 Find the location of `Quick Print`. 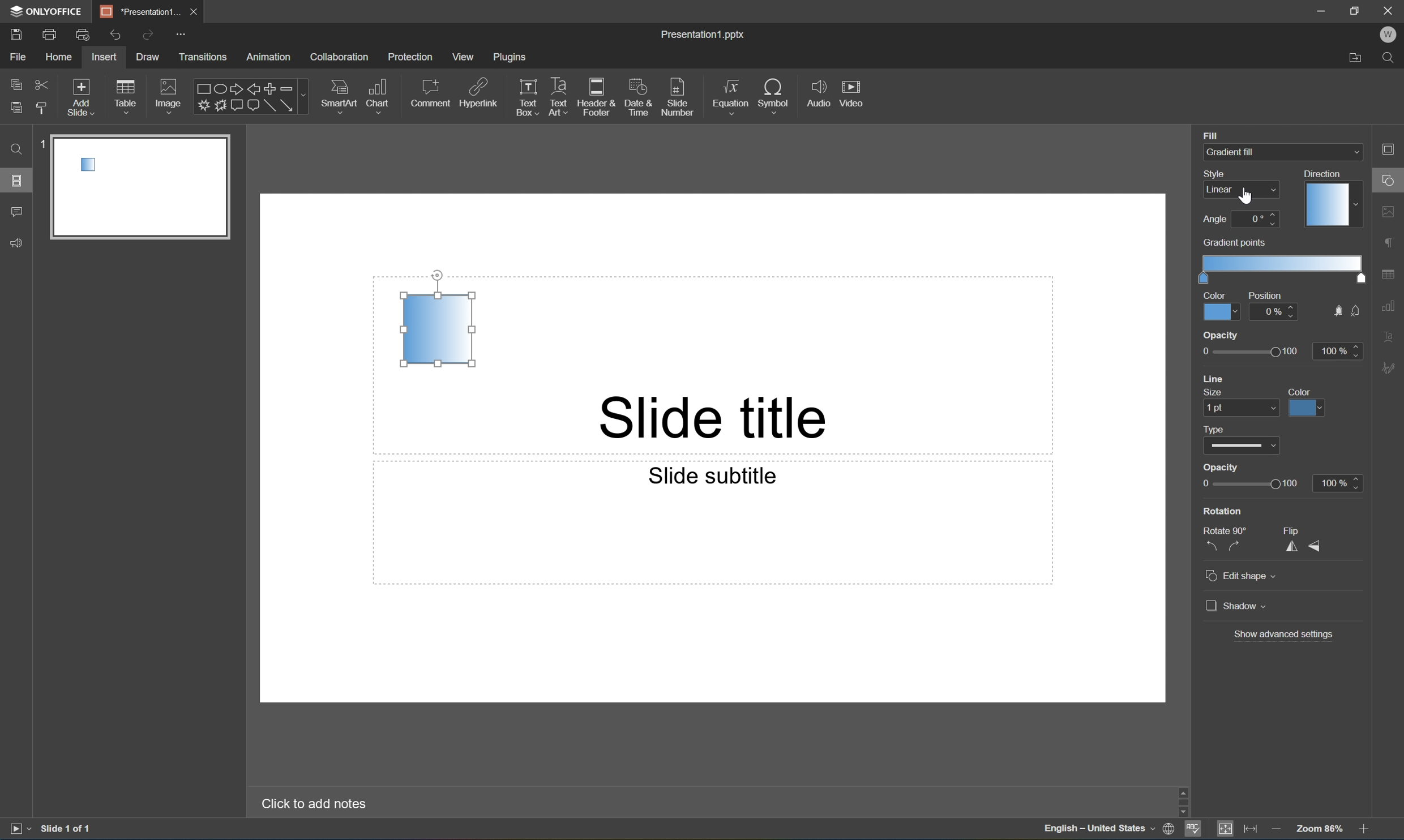

Quick Print is located at coordinates (82, 34).